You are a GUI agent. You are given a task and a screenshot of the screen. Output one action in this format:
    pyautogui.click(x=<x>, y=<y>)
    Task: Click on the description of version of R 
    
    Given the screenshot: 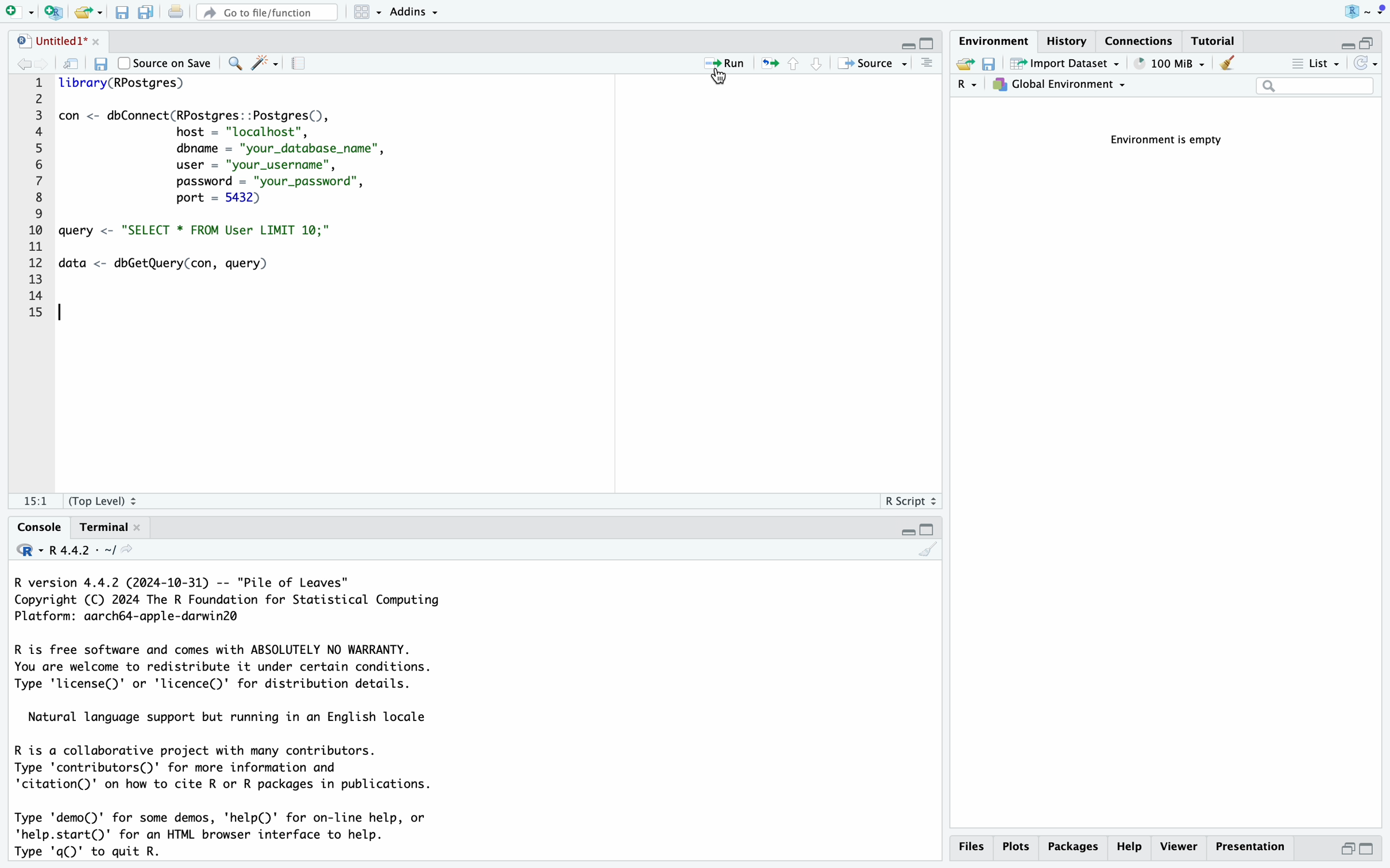 What is the action you would take?
    pyautogui.click(x=222, y=598)
    